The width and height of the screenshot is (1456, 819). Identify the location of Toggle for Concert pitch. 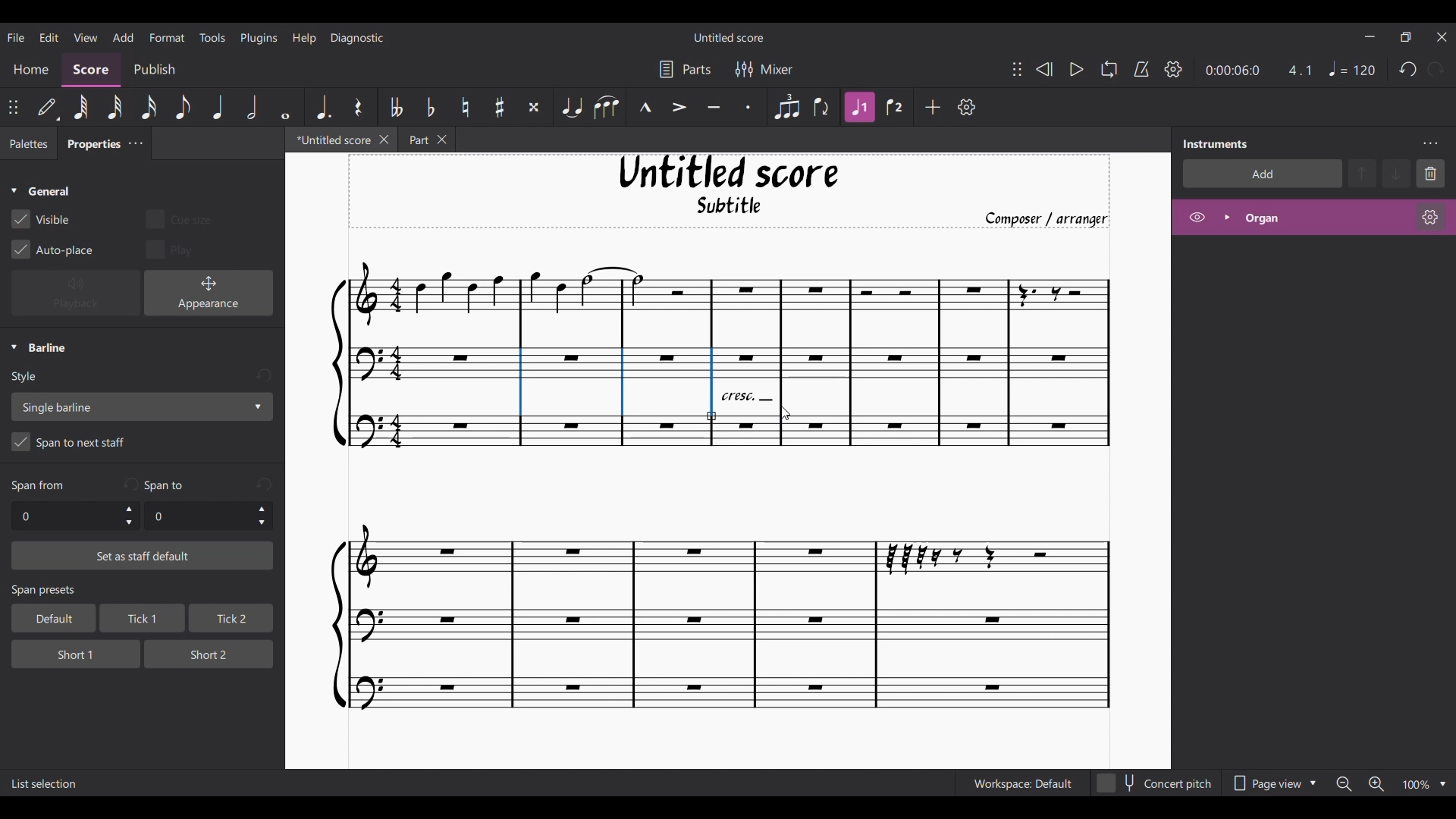
(1155, 783).